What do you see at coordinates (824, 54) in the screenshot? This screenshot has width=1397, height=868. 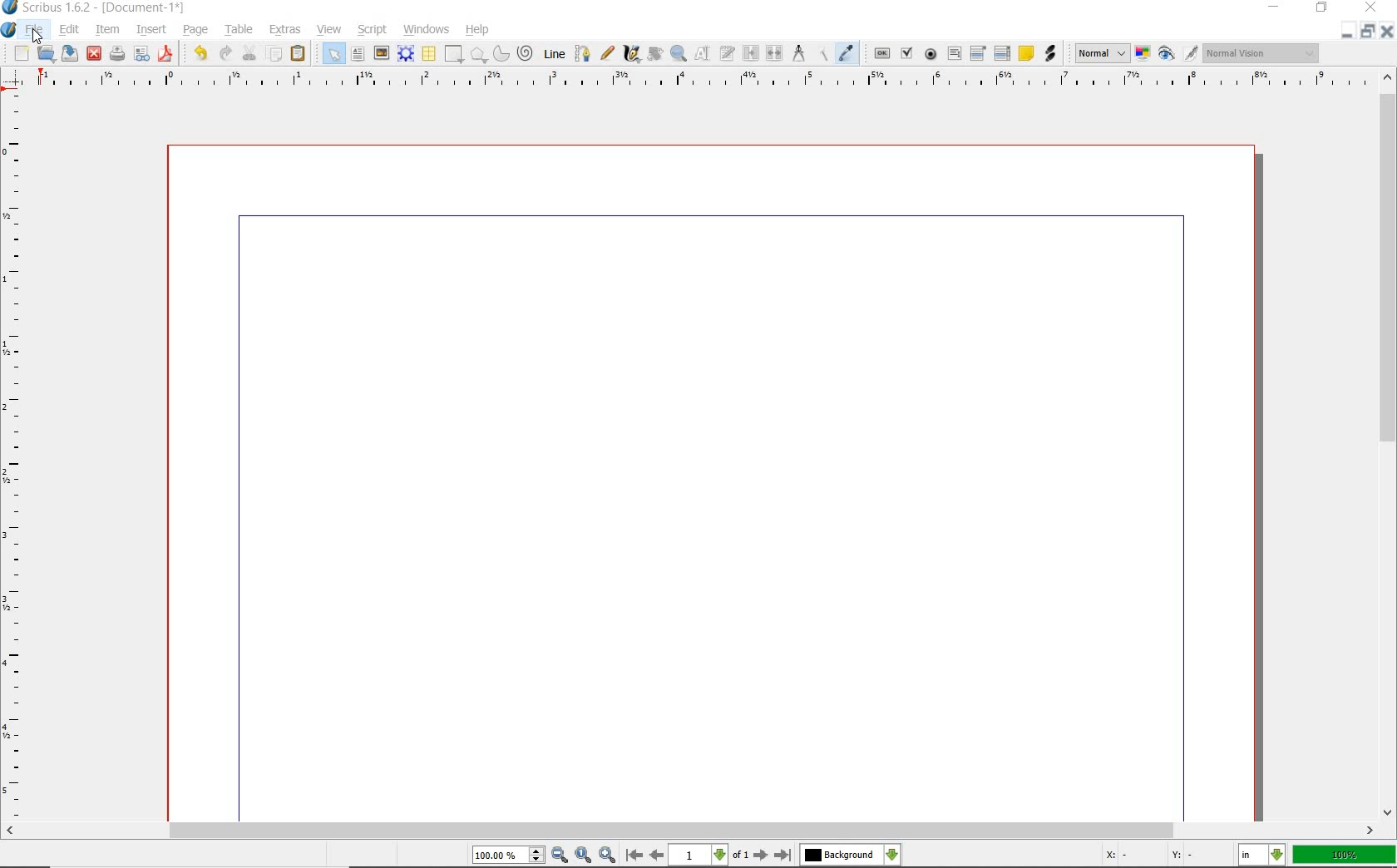 I see `copy item properties` at bounding box center [824, 54].